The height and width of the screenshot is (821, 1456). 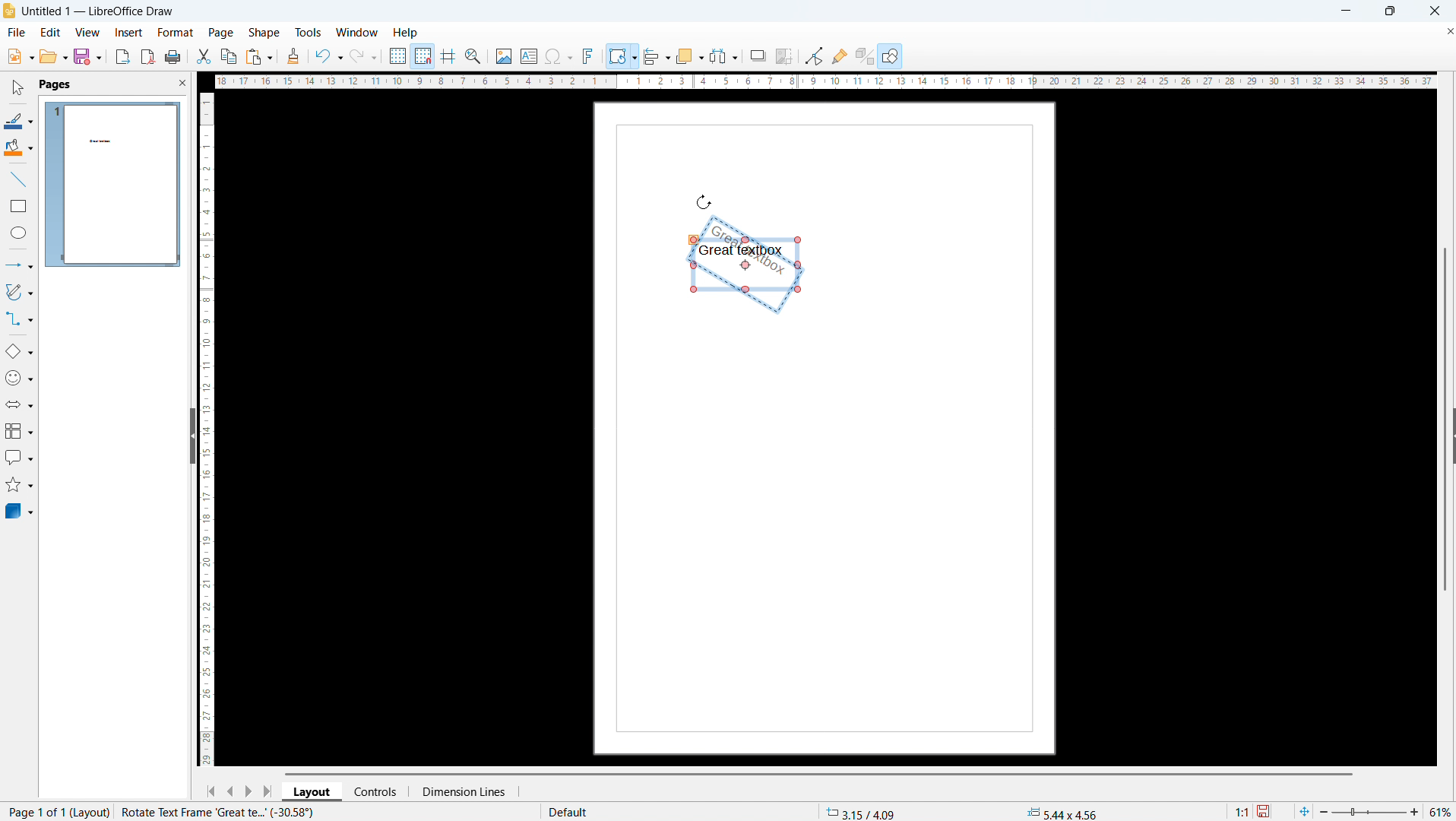 What do you see at coordinates (113, 184) in the screenshot?
I see `page 1` at bounding box center [113, 184].